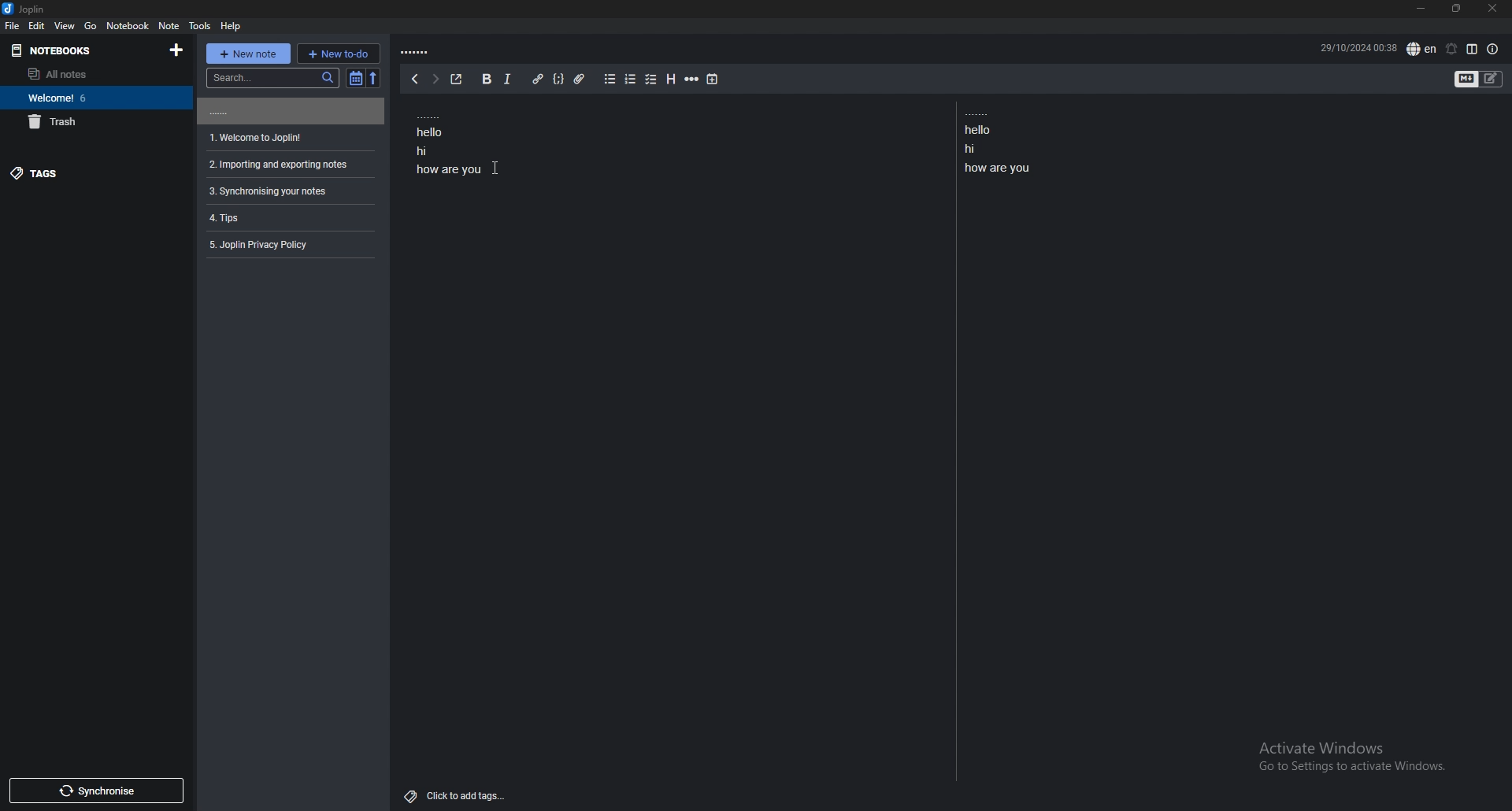  What do you see at coordinates (559, 79) in the screenshot?
I see `code` at bounding box center [559, 79].